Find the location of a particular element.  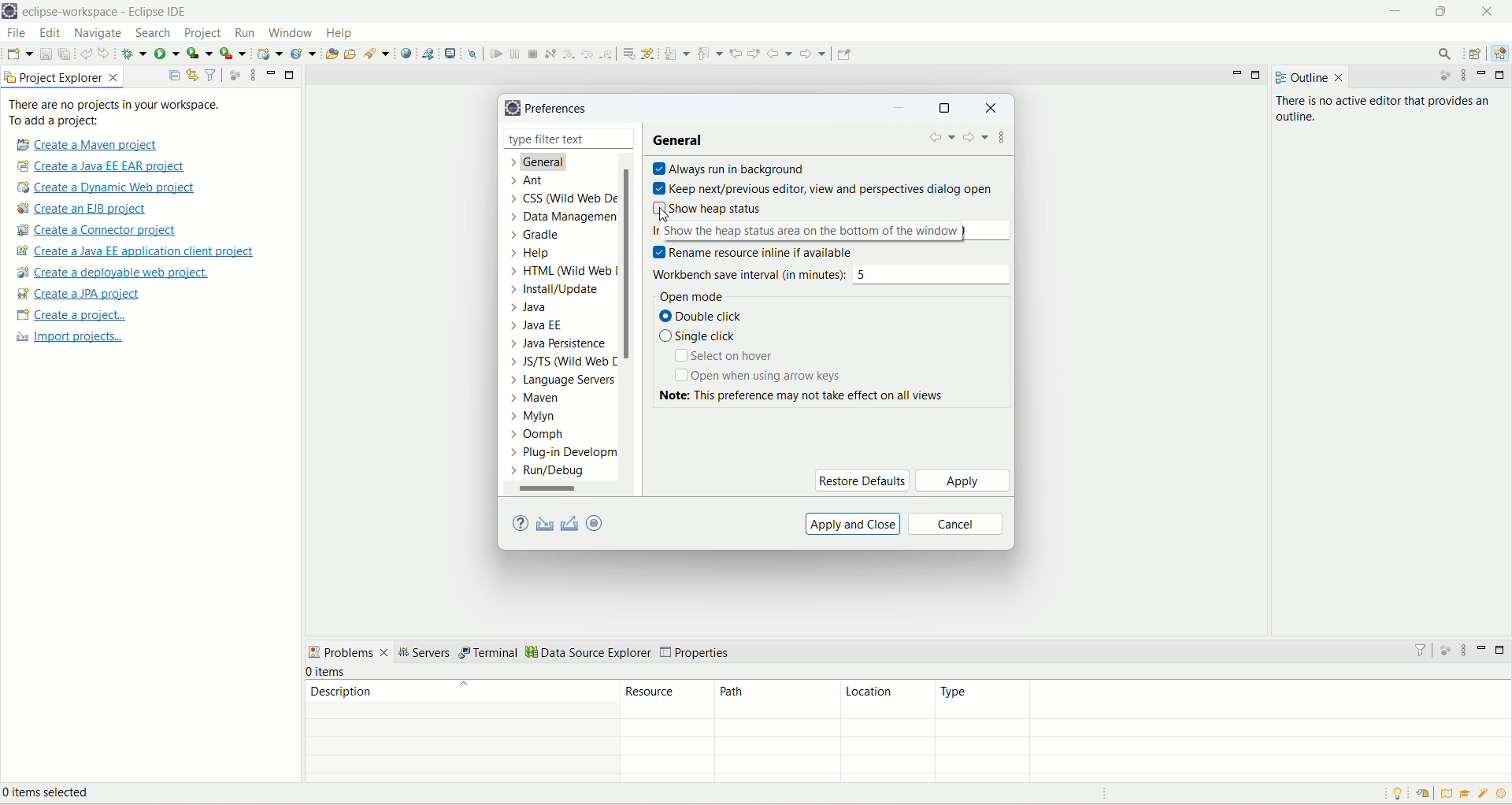

create a connector project is located at coordinates (99, 231).